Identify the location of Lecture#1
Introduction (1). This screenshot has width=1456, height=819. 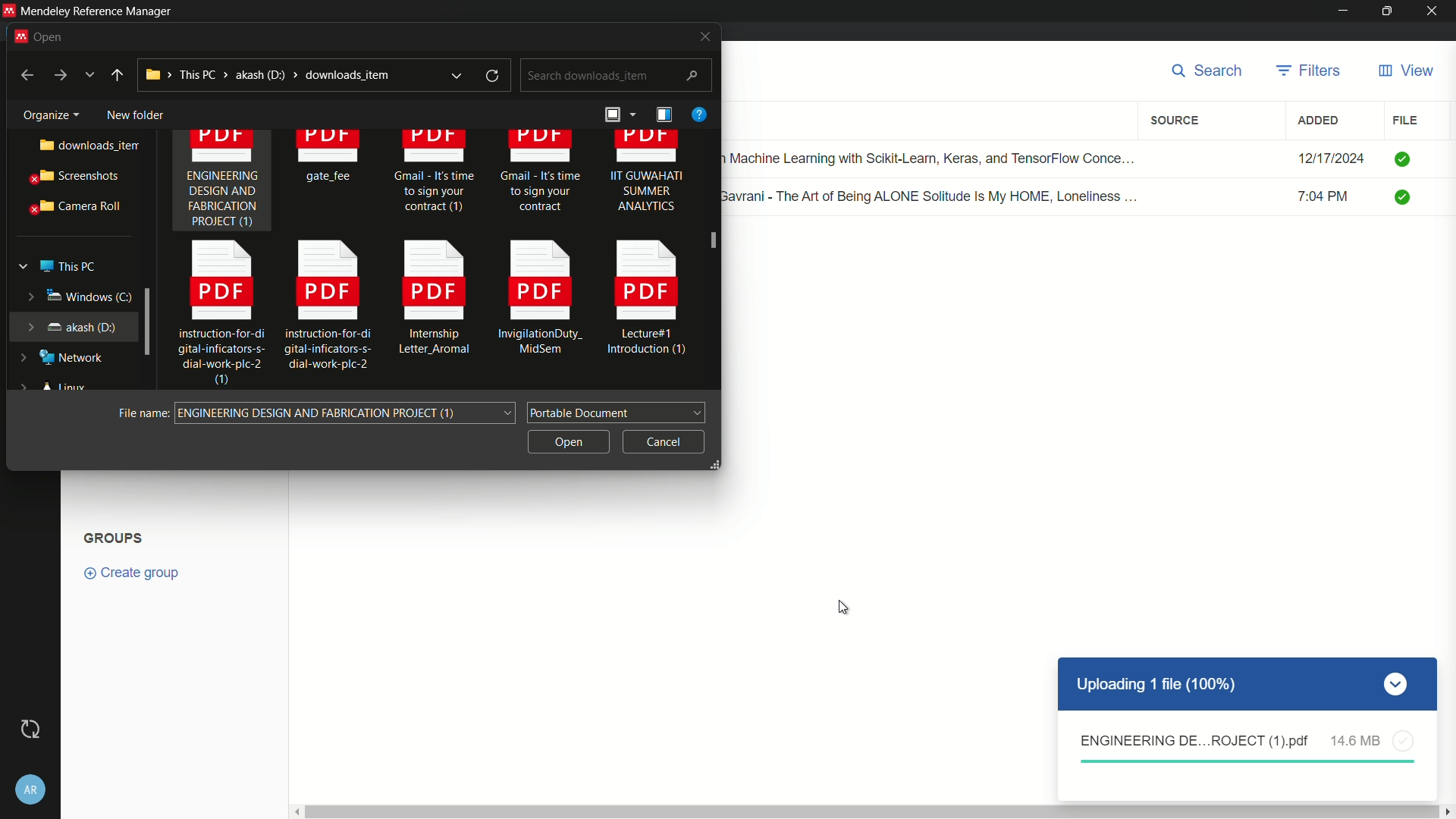
(649, 302).